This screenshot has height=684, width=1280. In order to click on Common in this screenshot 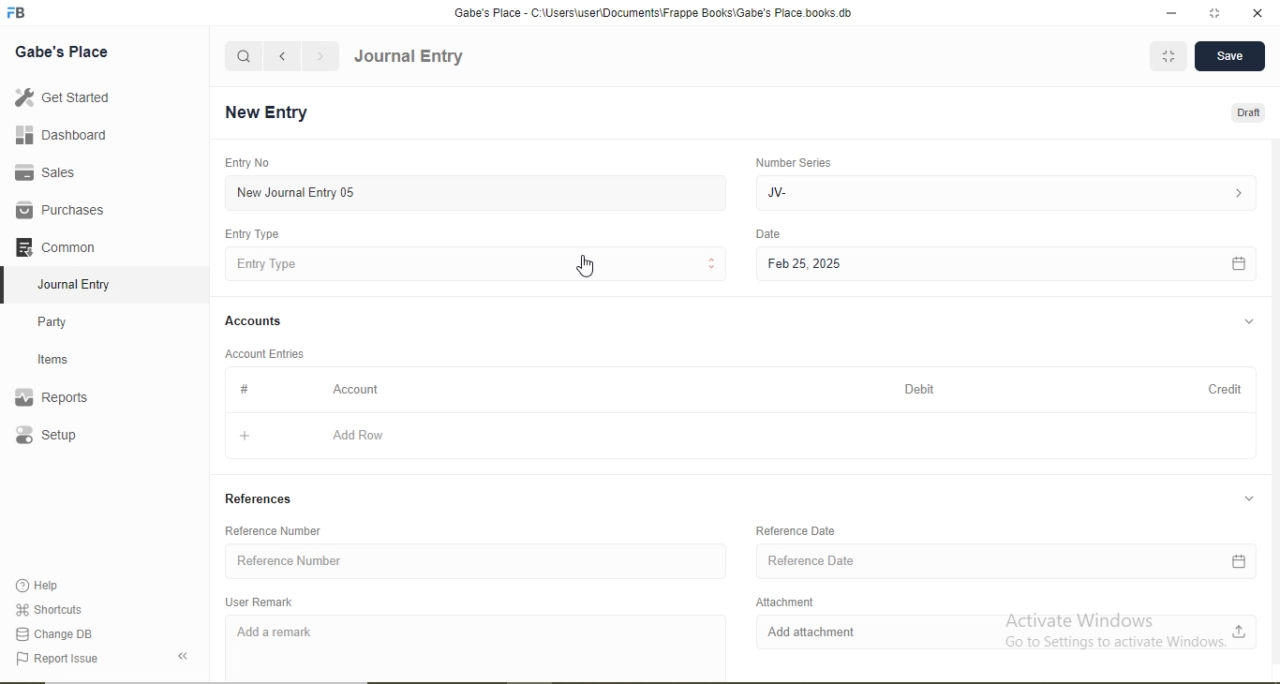, I will do `click(60, 245)`.